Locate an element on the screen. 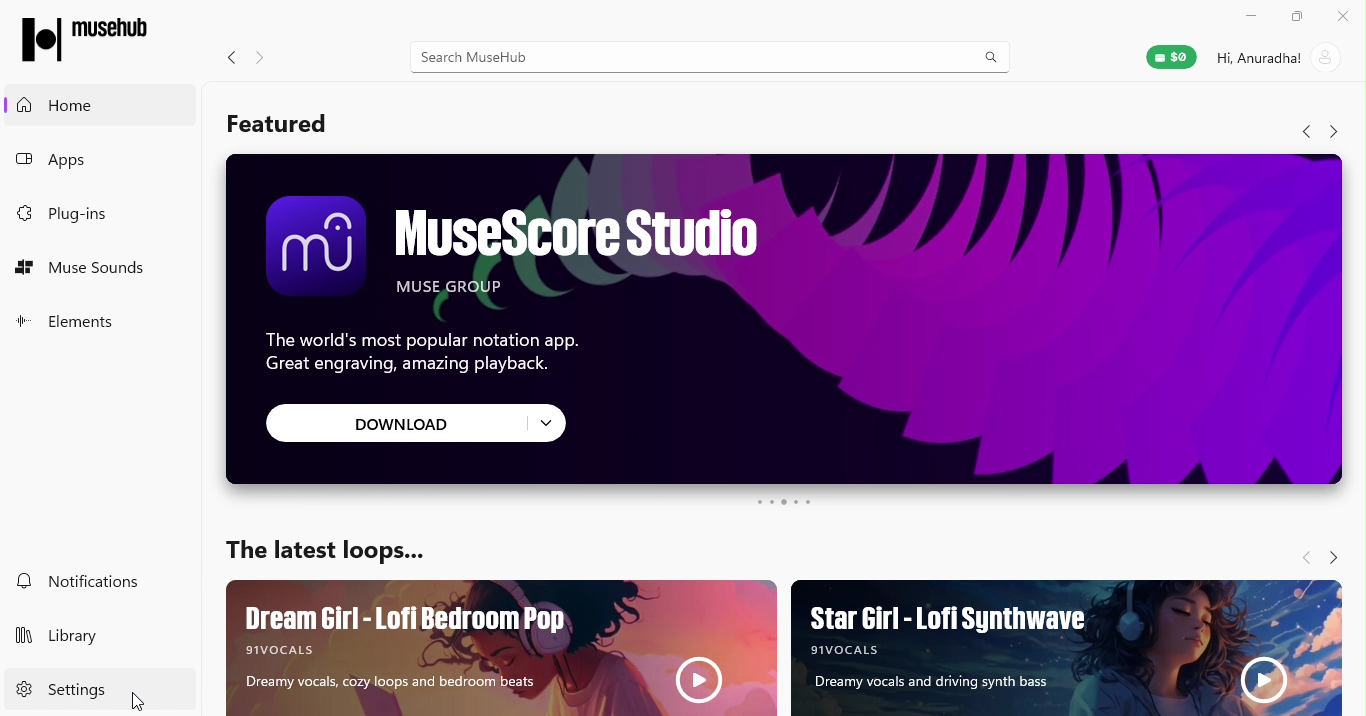  Navigate back is located at coordinates (231, 56).